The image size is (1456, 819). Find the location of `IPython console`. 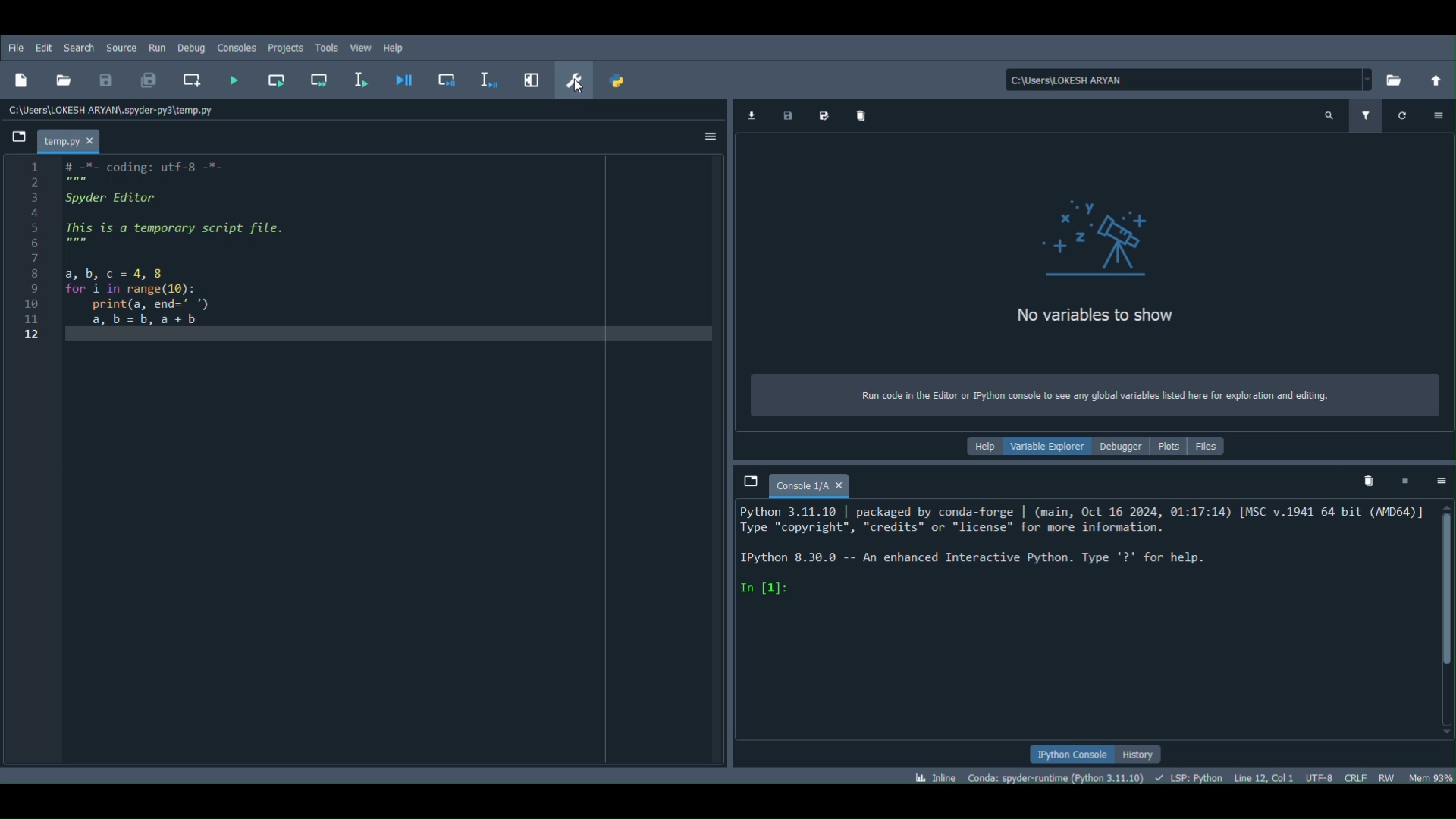

IPython console is located at coordinates (1073, 756).